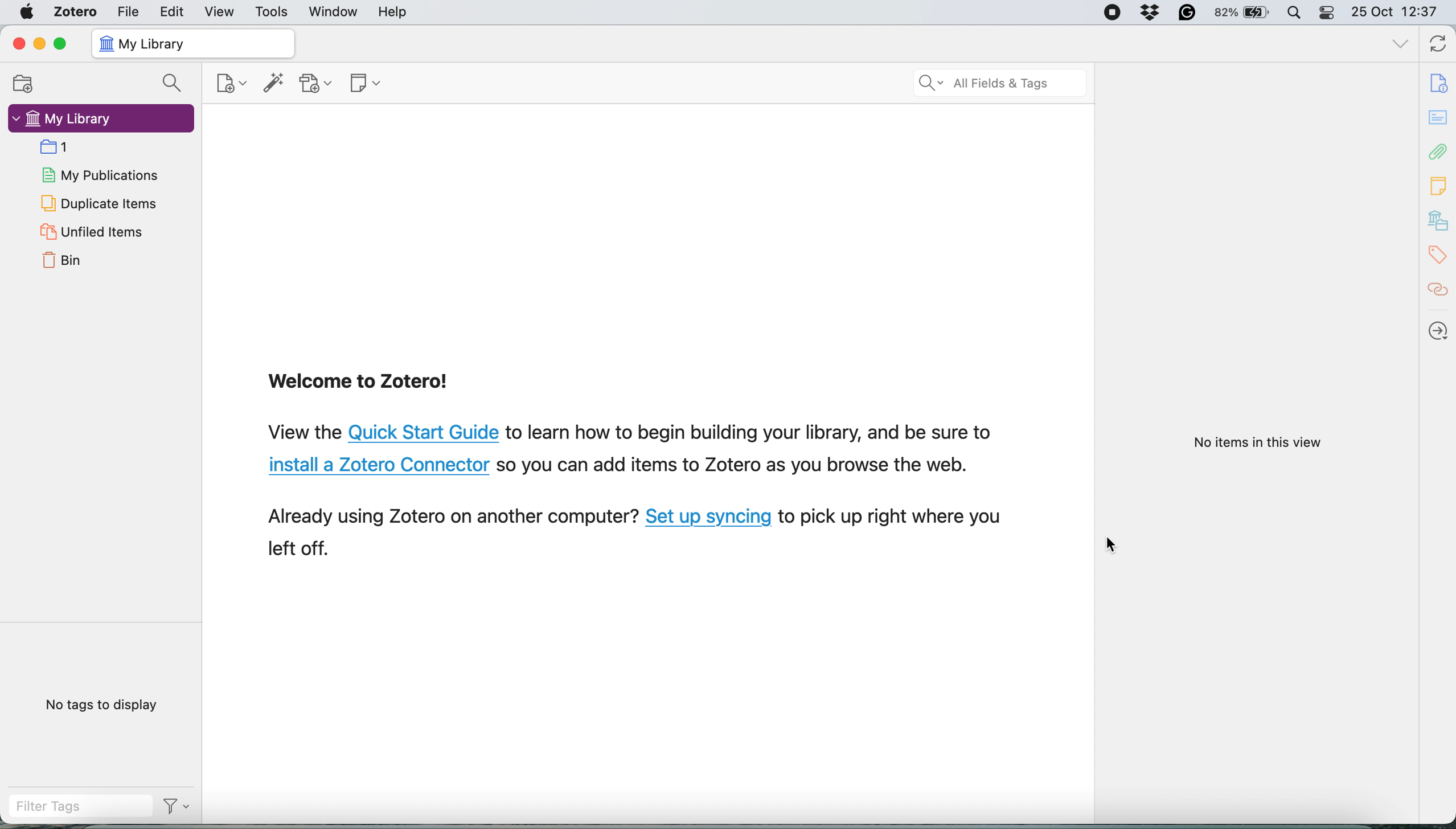 The height and width of the screenshot is (829, 1456). What do you see at coordinates (128, 11) in the screenshot?
I see `file` at bounding box center [128, 11].